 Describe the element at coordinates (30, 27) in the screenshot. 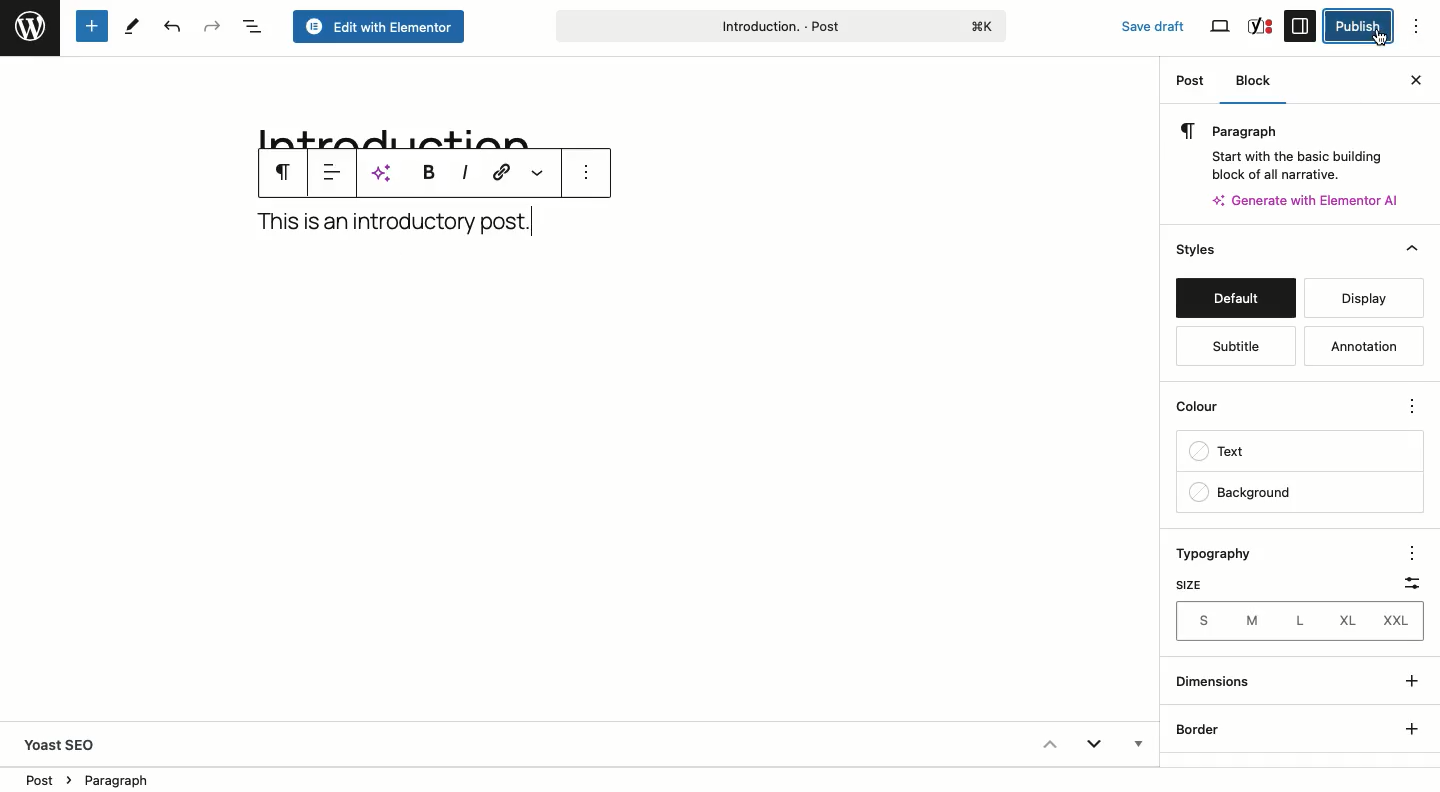

I see `Wordpress logo` at that location.